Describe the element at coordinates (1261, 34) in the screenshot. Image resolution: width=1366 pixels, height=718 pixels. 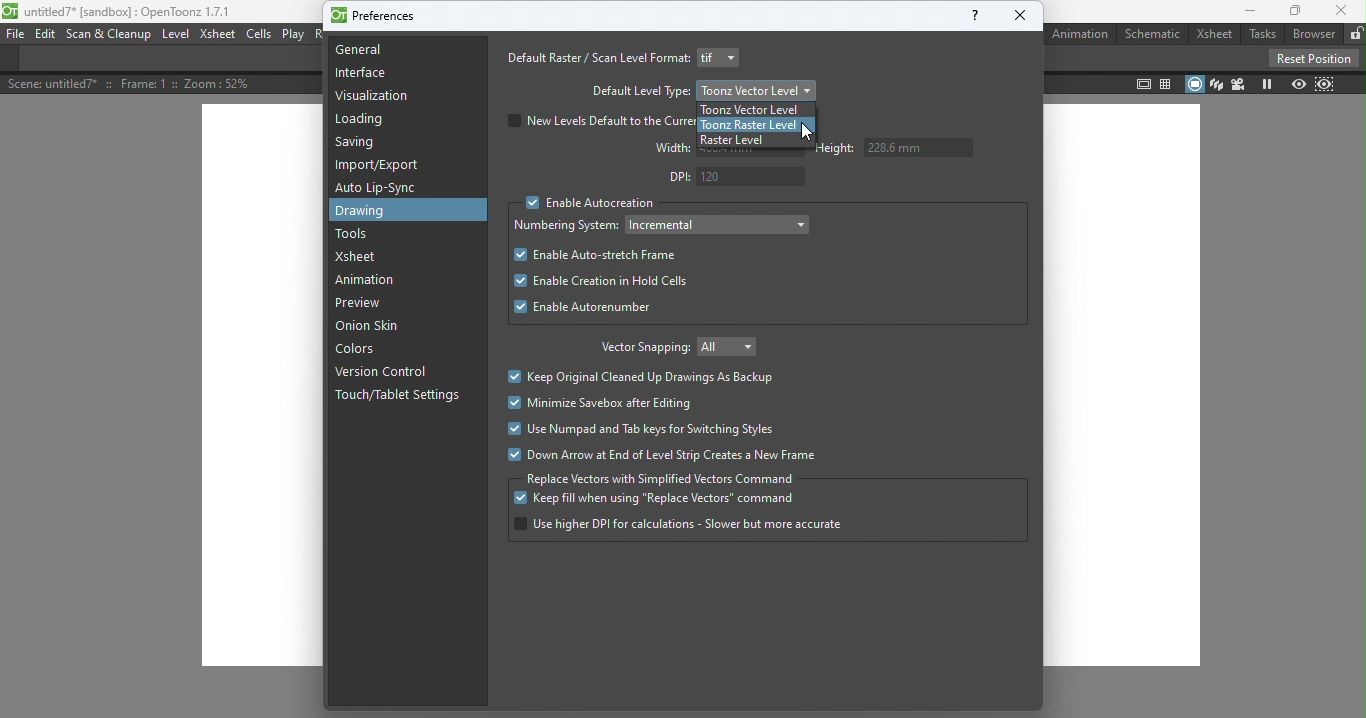
I see `Tasks` at that location.